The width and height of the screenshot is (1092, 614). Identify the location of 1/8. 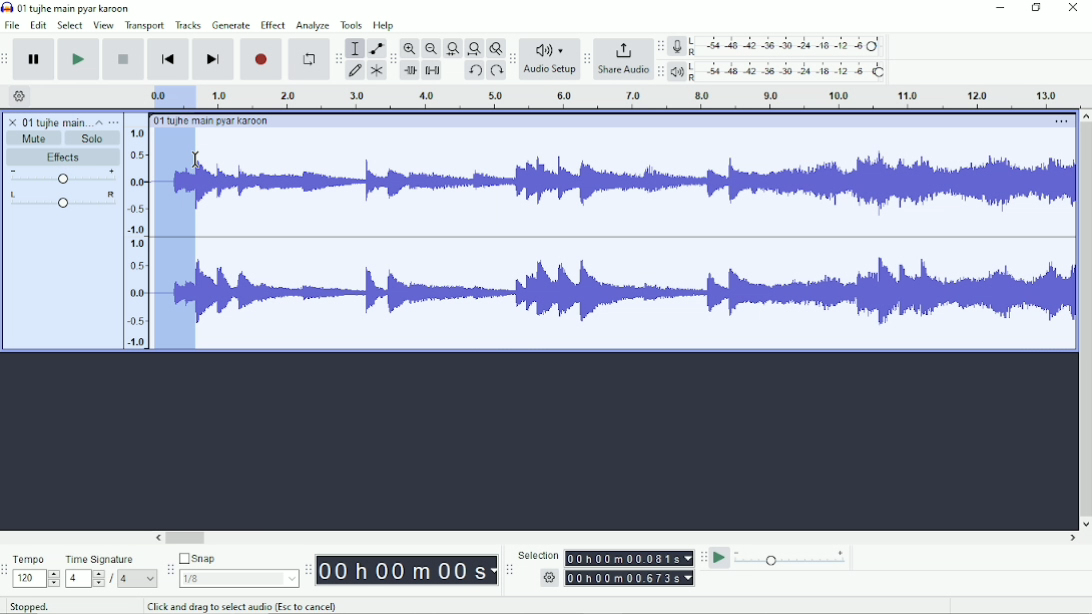
(238, 578).